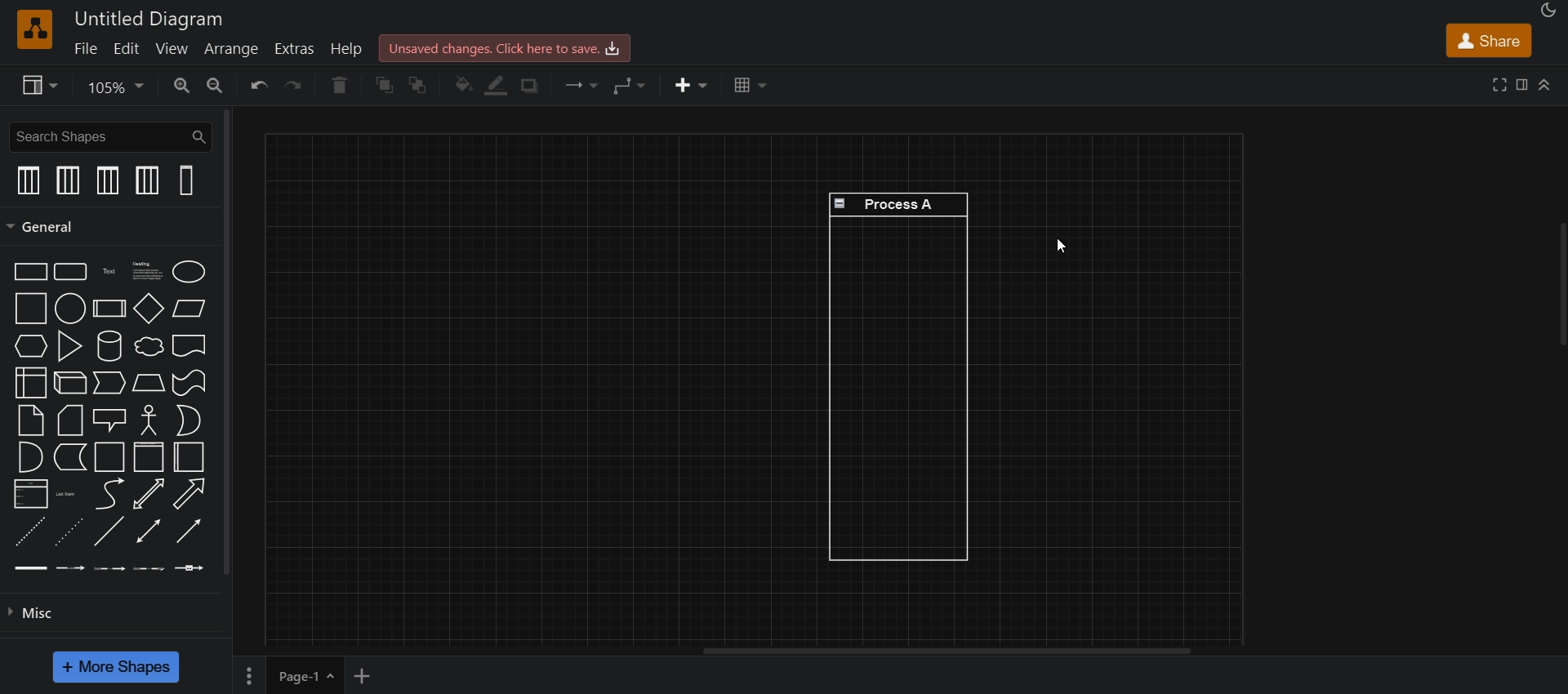 This screenshot has height=694, width=1568. Describe the element at coordinates (191, 570) in the screenshot. I see `connector with symbol` at that location.